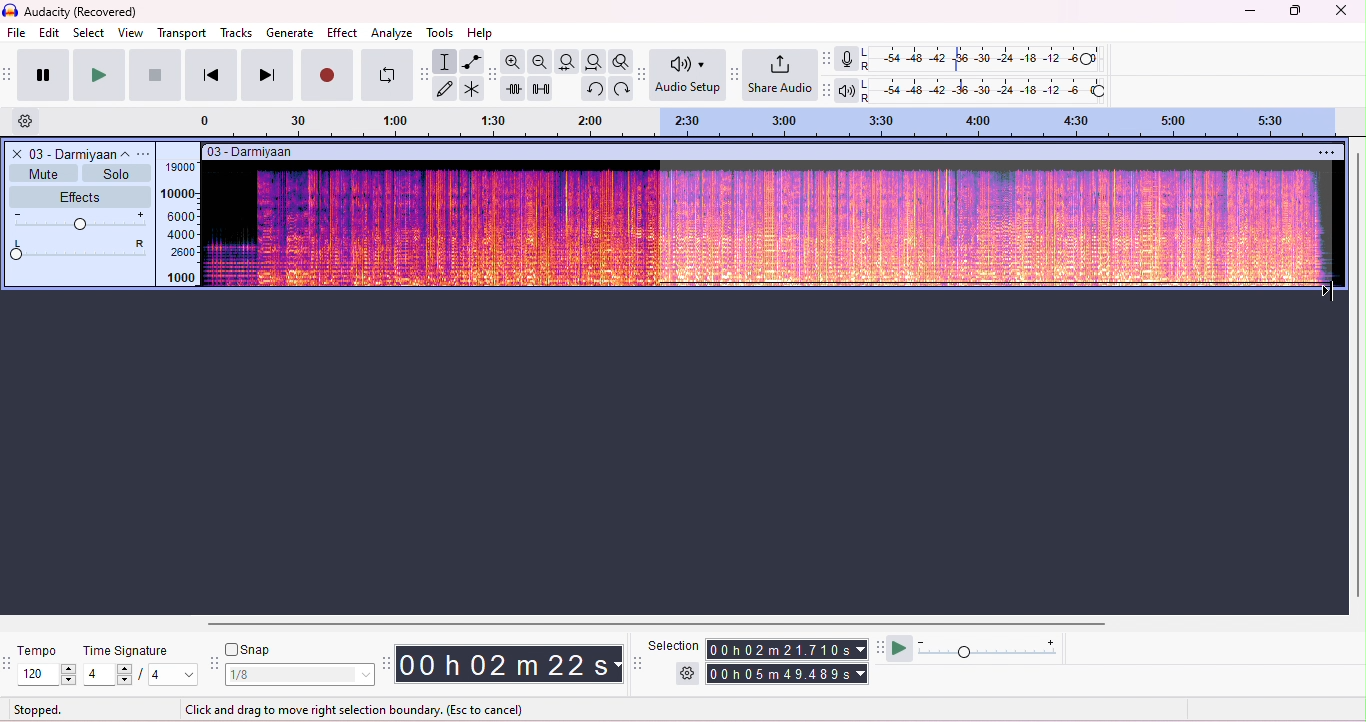  What do you see at coordinates (328, 76) in the screenshot?
I see `record` at bounding box center [328, 76].